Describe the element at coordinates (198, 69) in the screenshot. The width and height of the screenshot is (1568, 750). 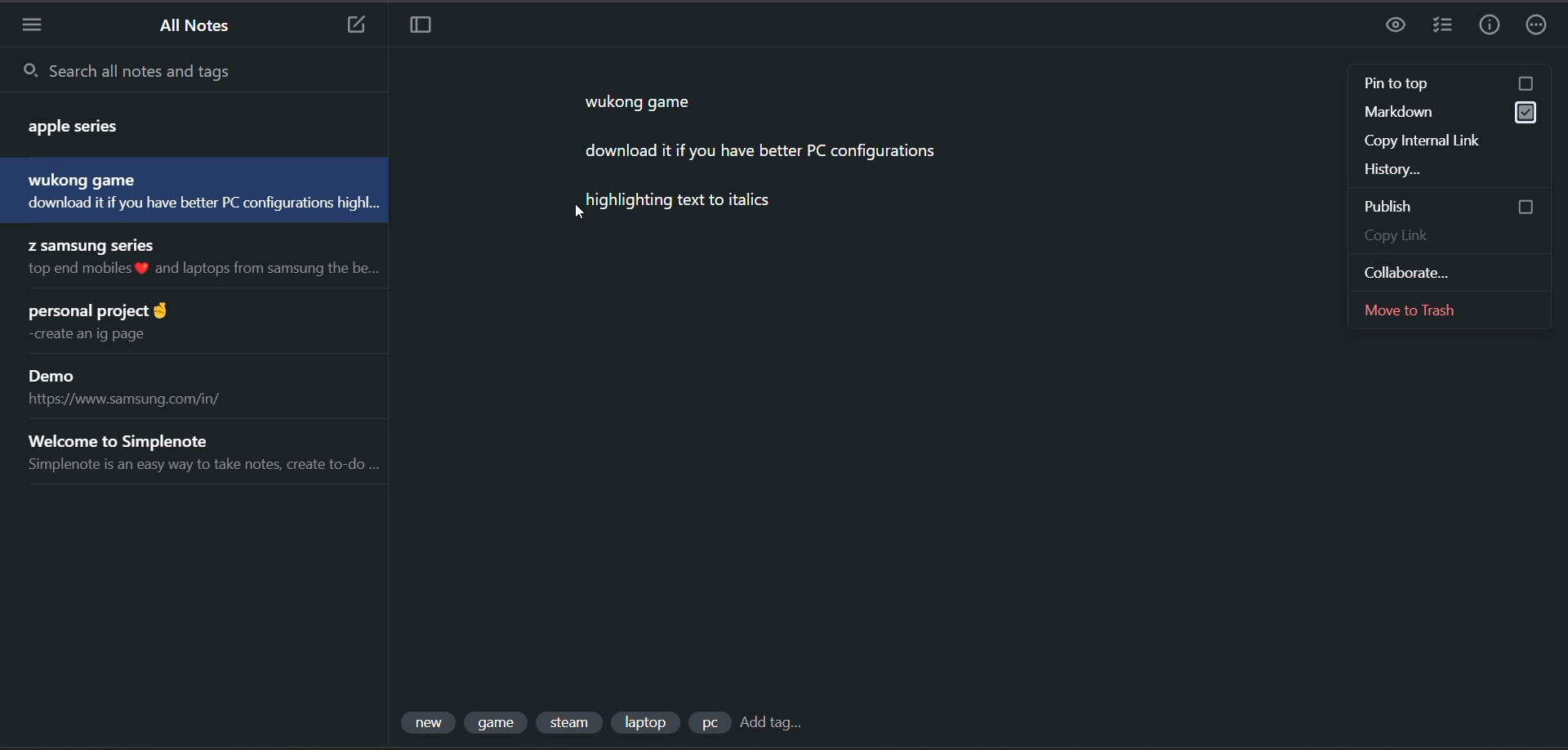
I see `search all notes and tags` at that location.